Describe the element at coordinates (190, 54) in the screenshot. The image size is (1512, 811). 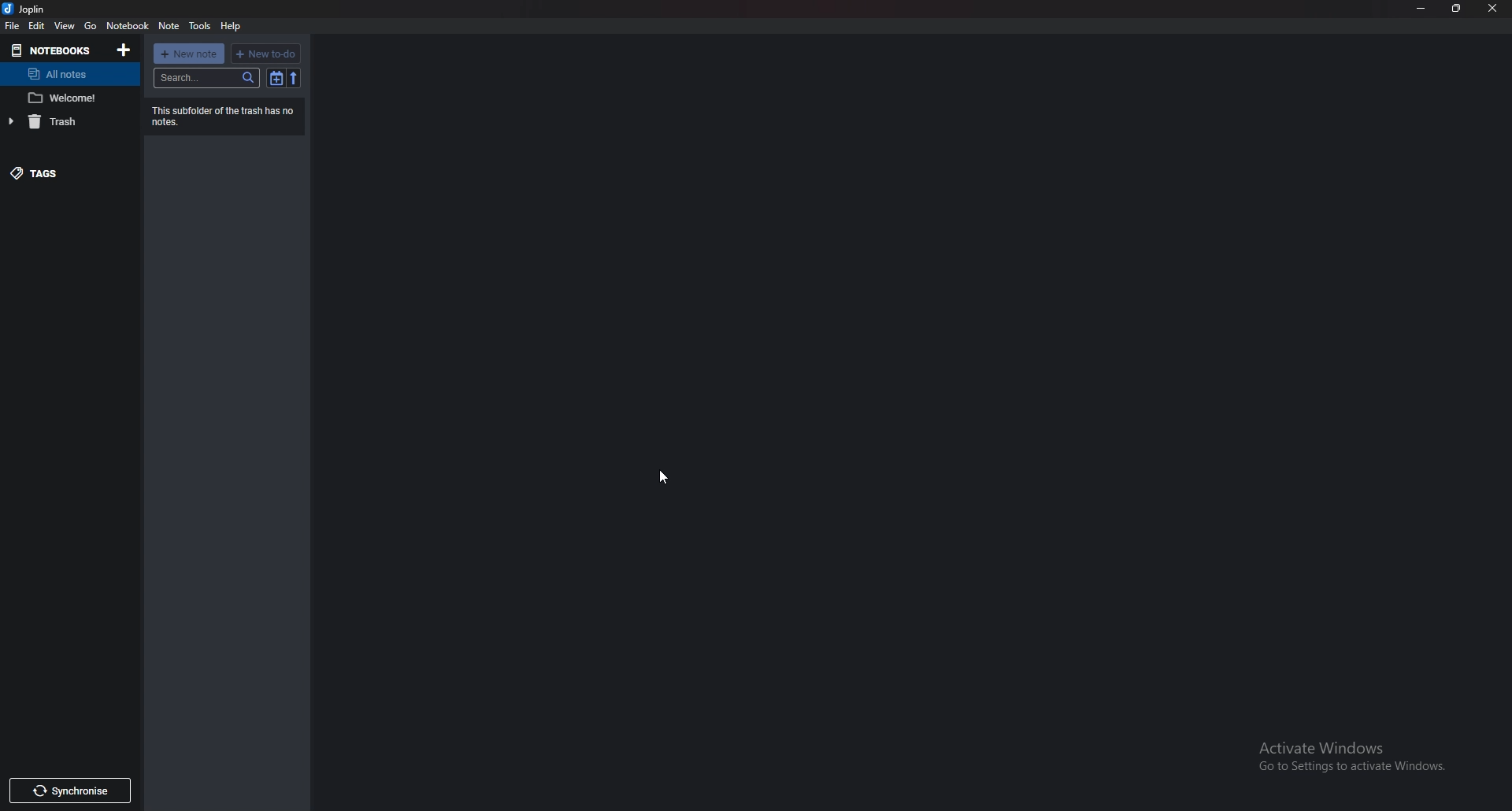
I see `New note` at that location.